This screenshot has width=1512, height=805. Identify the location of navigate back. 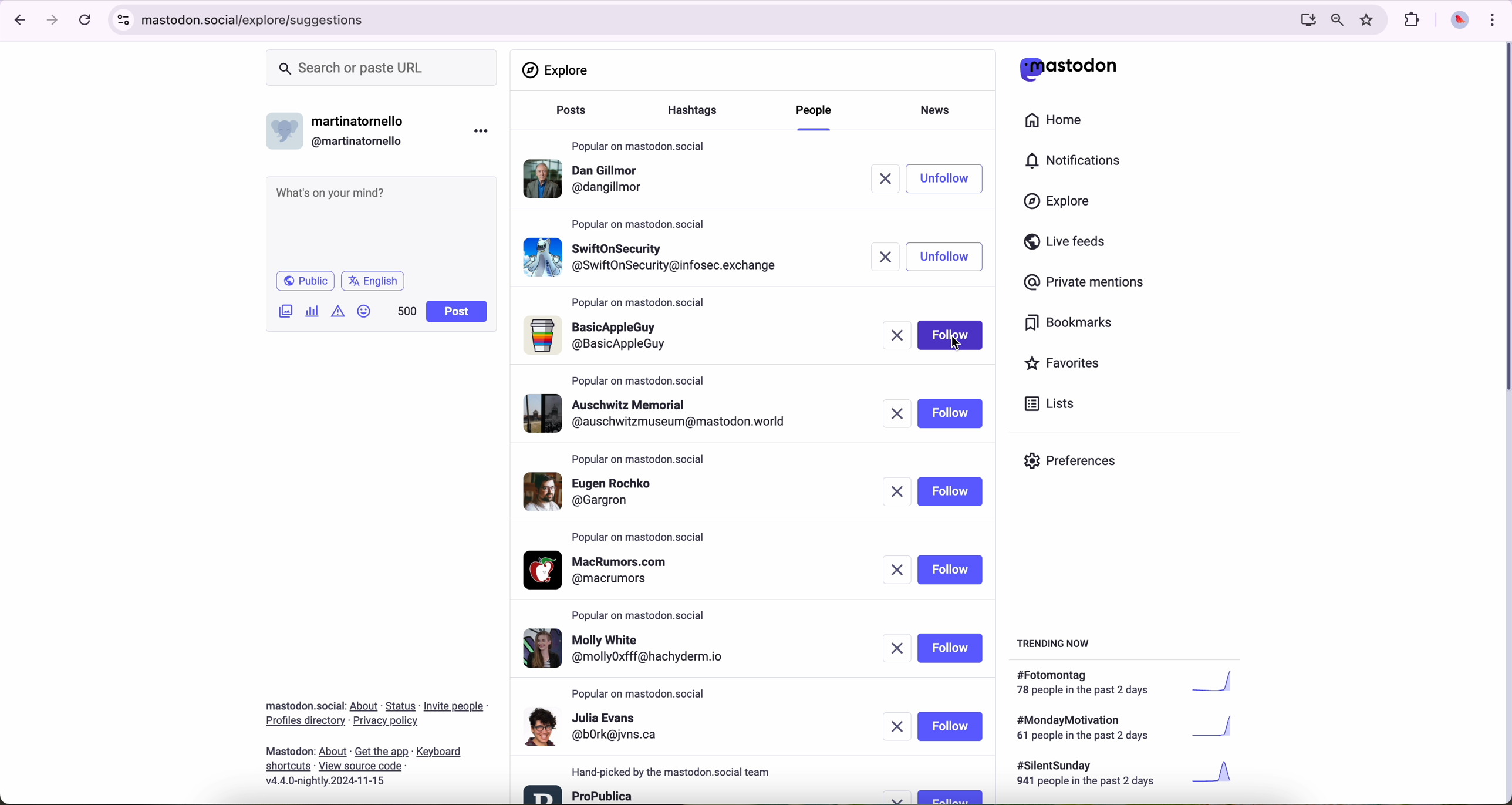
(16, 19).